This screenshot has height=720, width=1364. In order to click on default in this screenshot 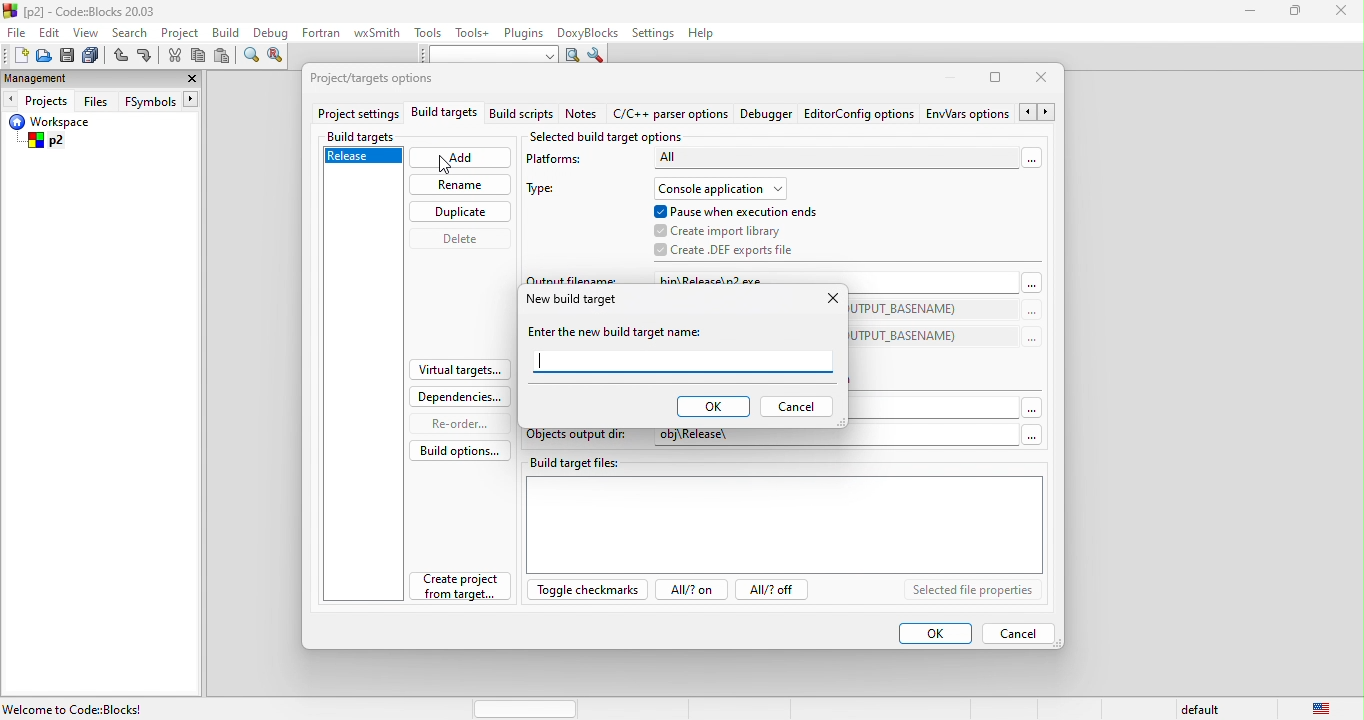, I will do `click(1197, 709)`.